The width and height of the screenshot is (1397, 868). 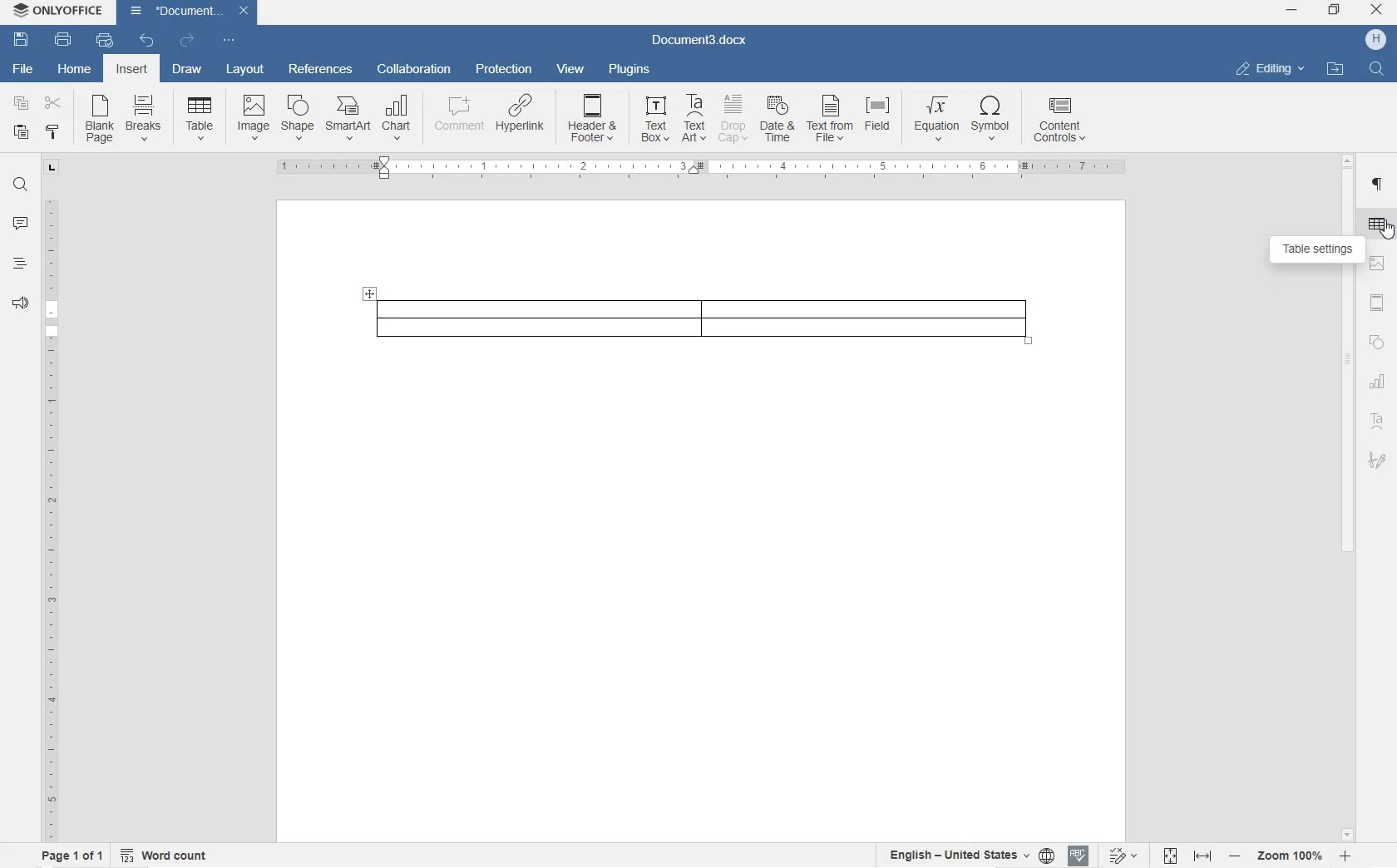 I want to click on INSERT, so click(x=134, y=72).